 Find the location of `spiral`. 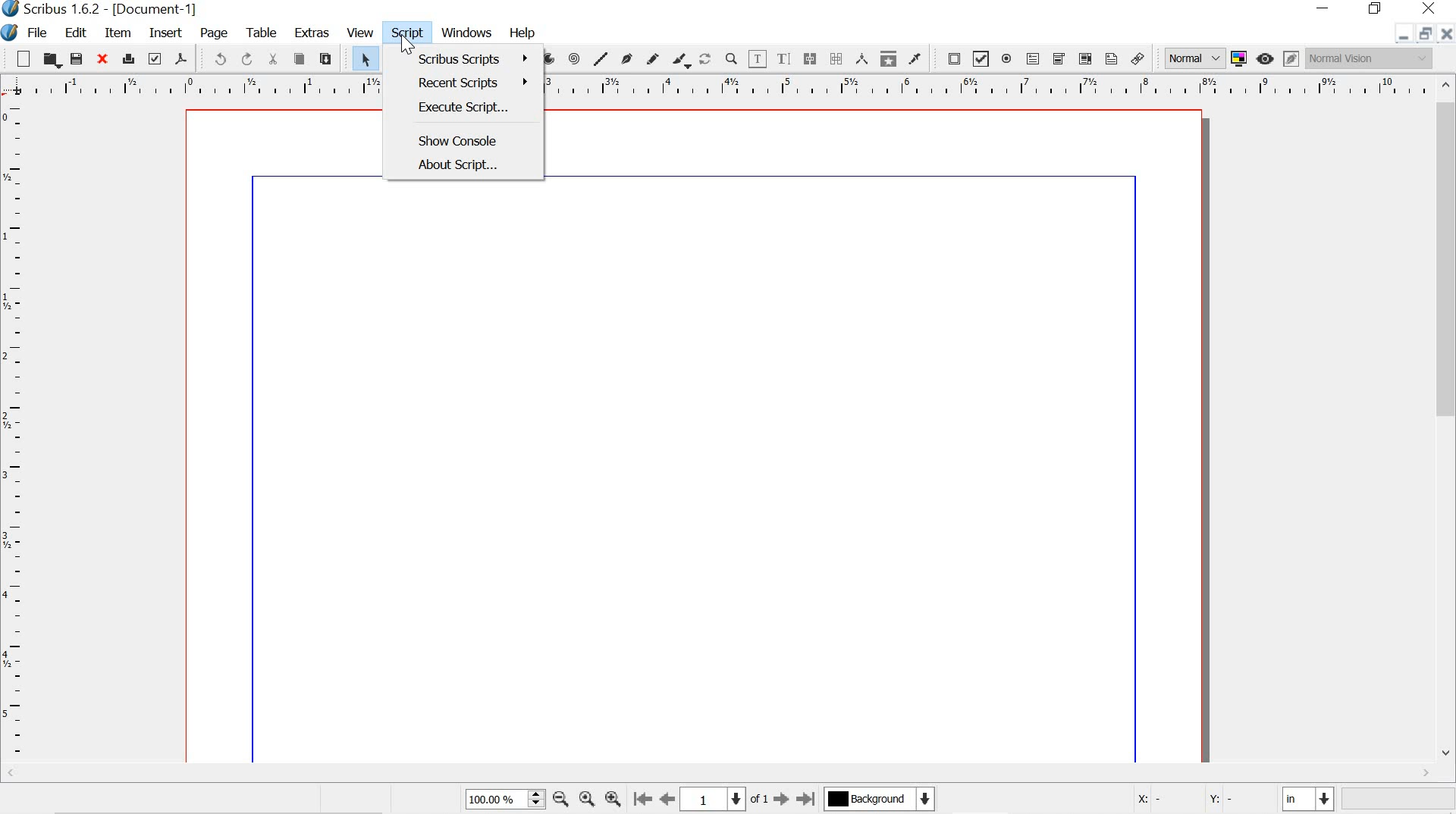

spiral is located at coordinates (573, 58).